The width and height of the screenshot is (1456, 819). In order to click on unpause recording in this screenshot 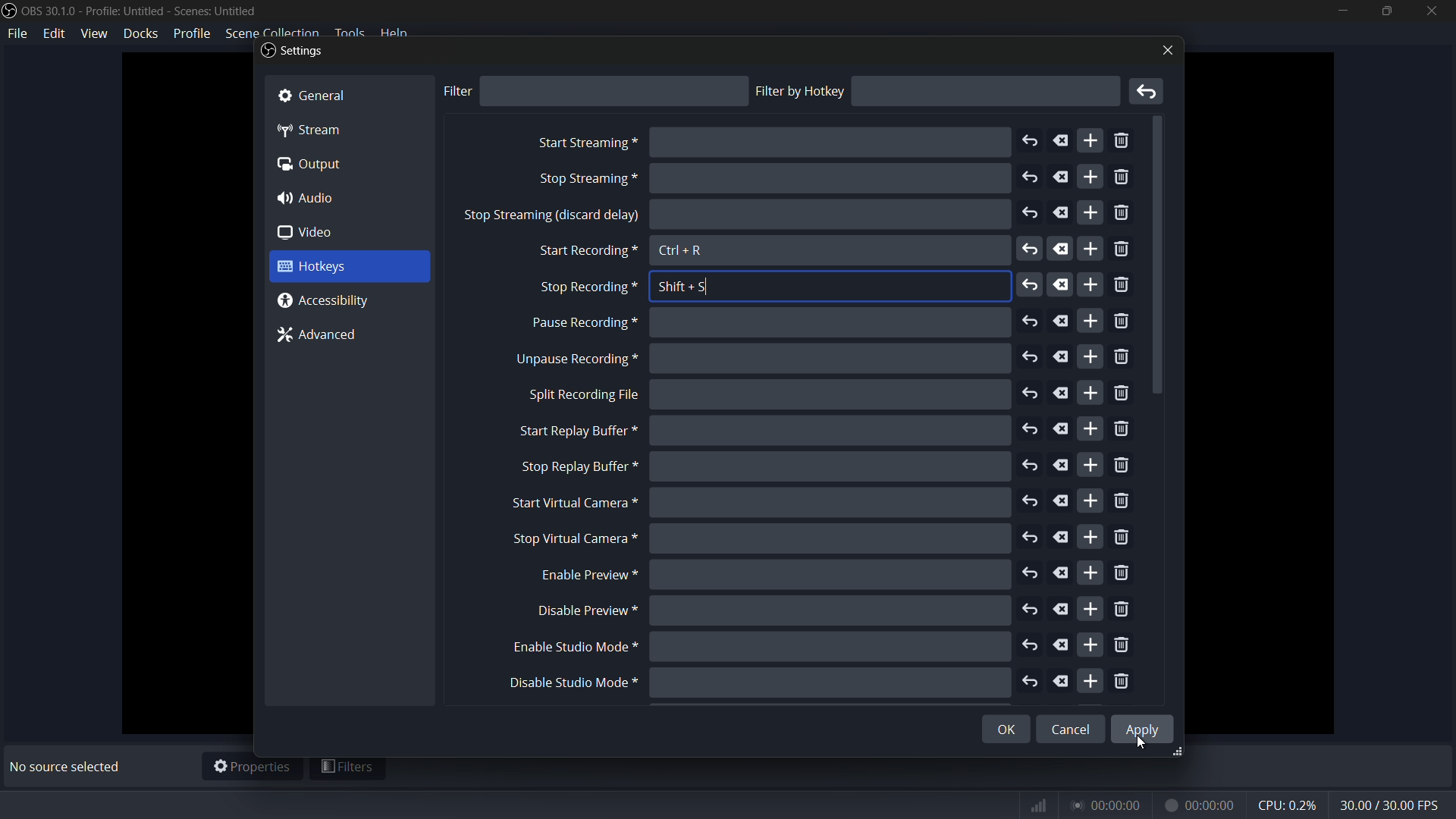, I will do `click(575, 359)`.